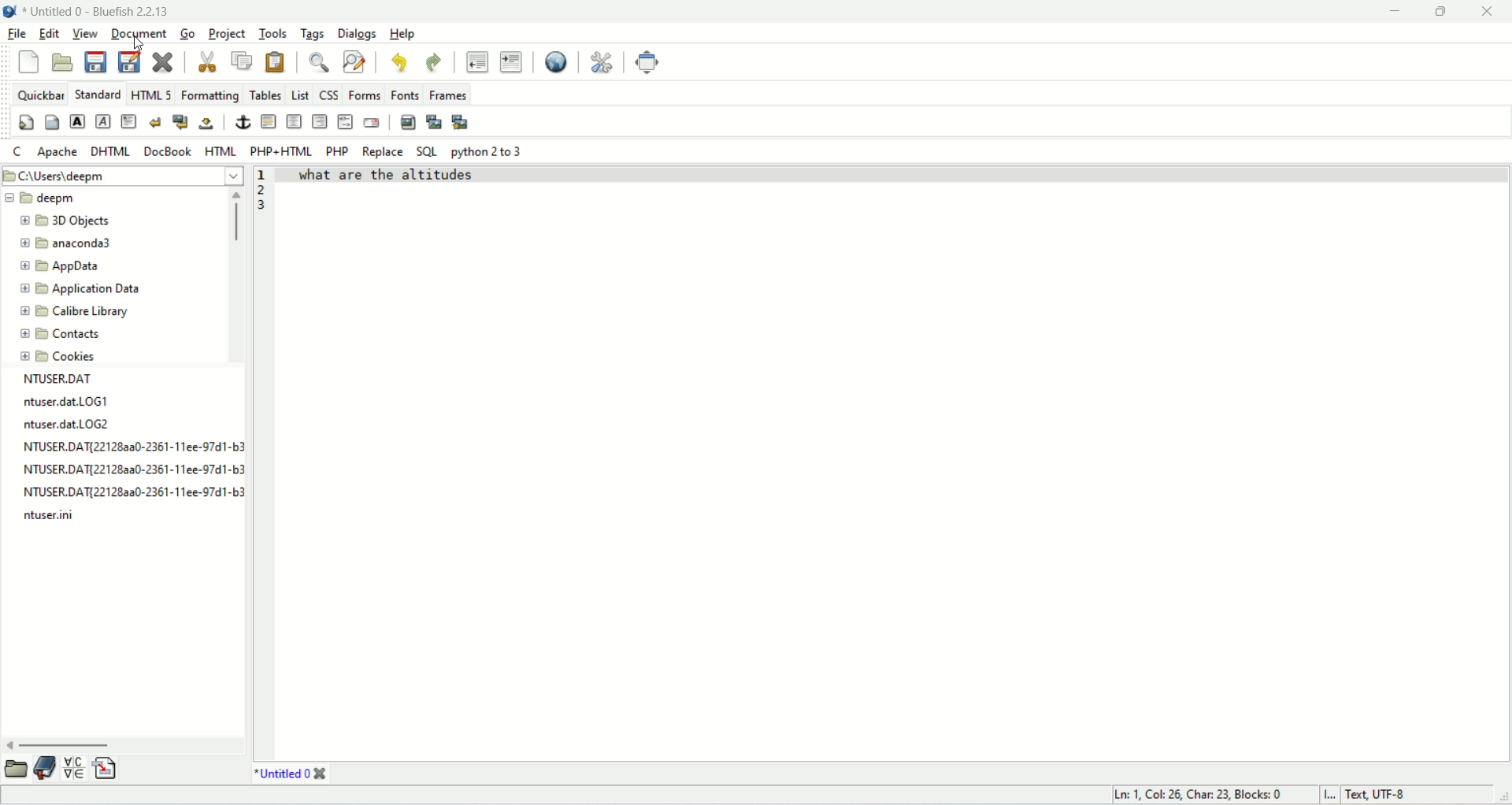 The image size is (1512, 805). I want to click on paragraph, so click(131, 121).